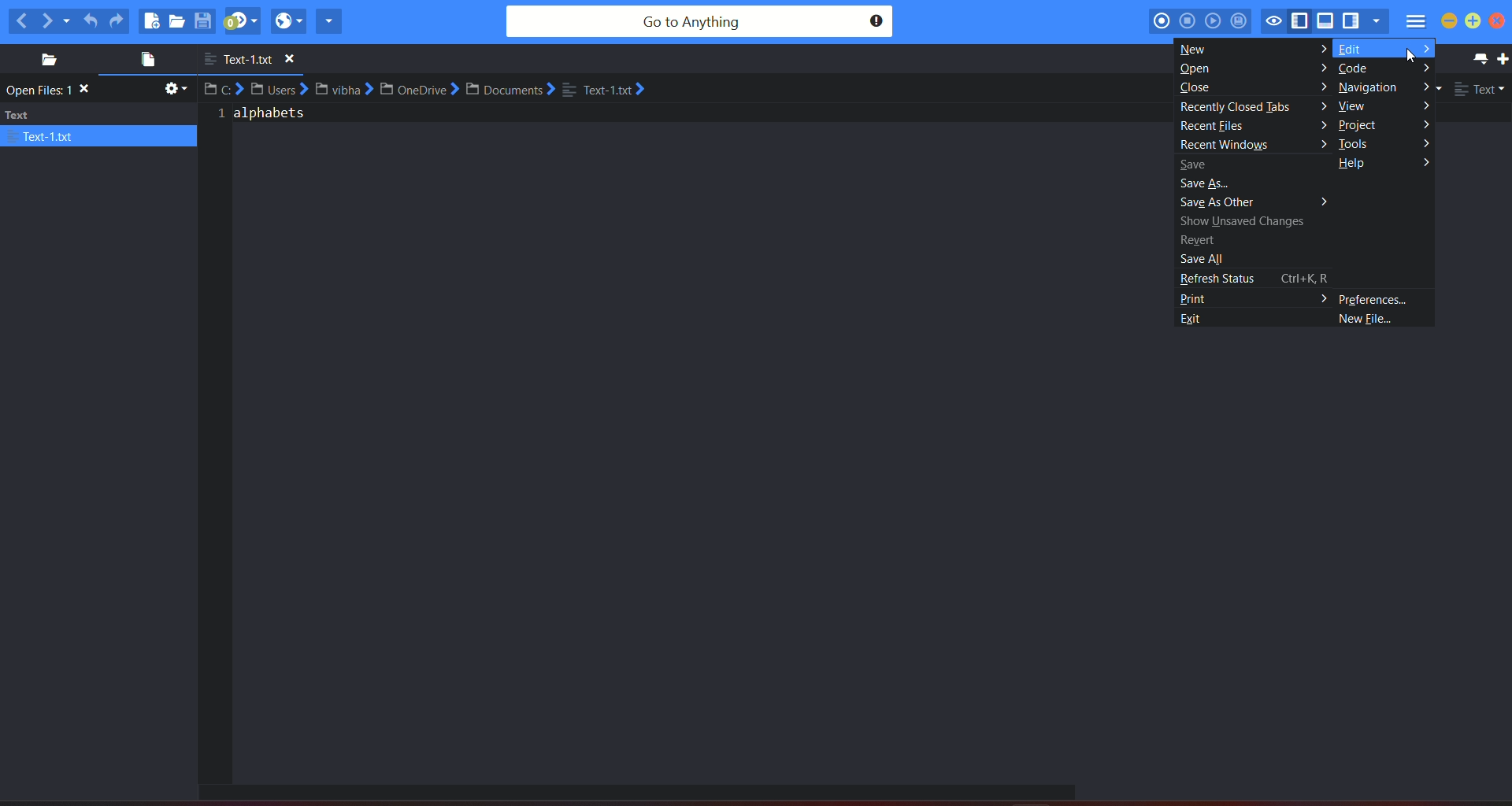 The height and width of the screenshot is (806, 1512). I want to click on More, so click(1314, 143).